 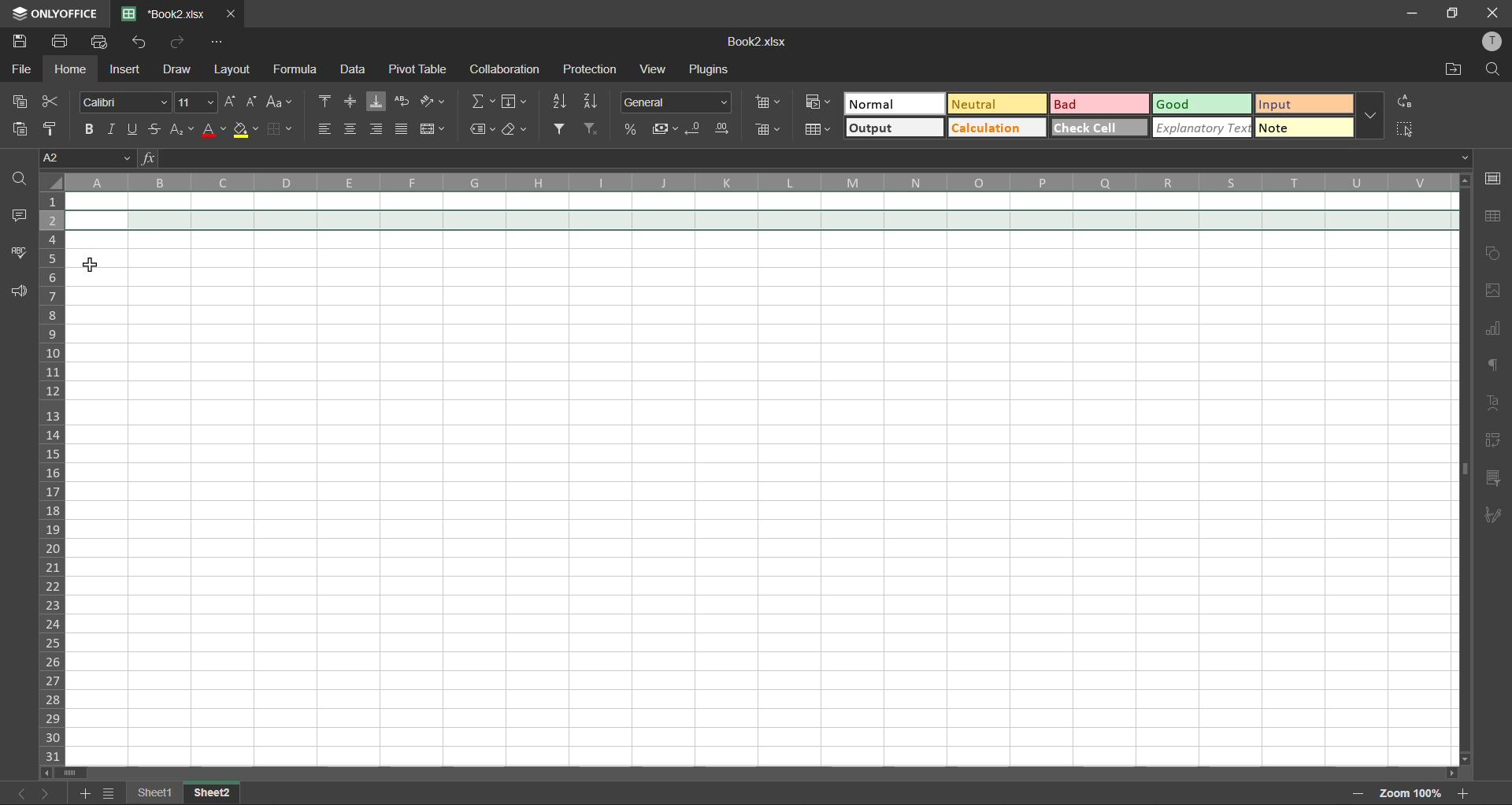 I want to click on formula, so click(x=299, y=72).